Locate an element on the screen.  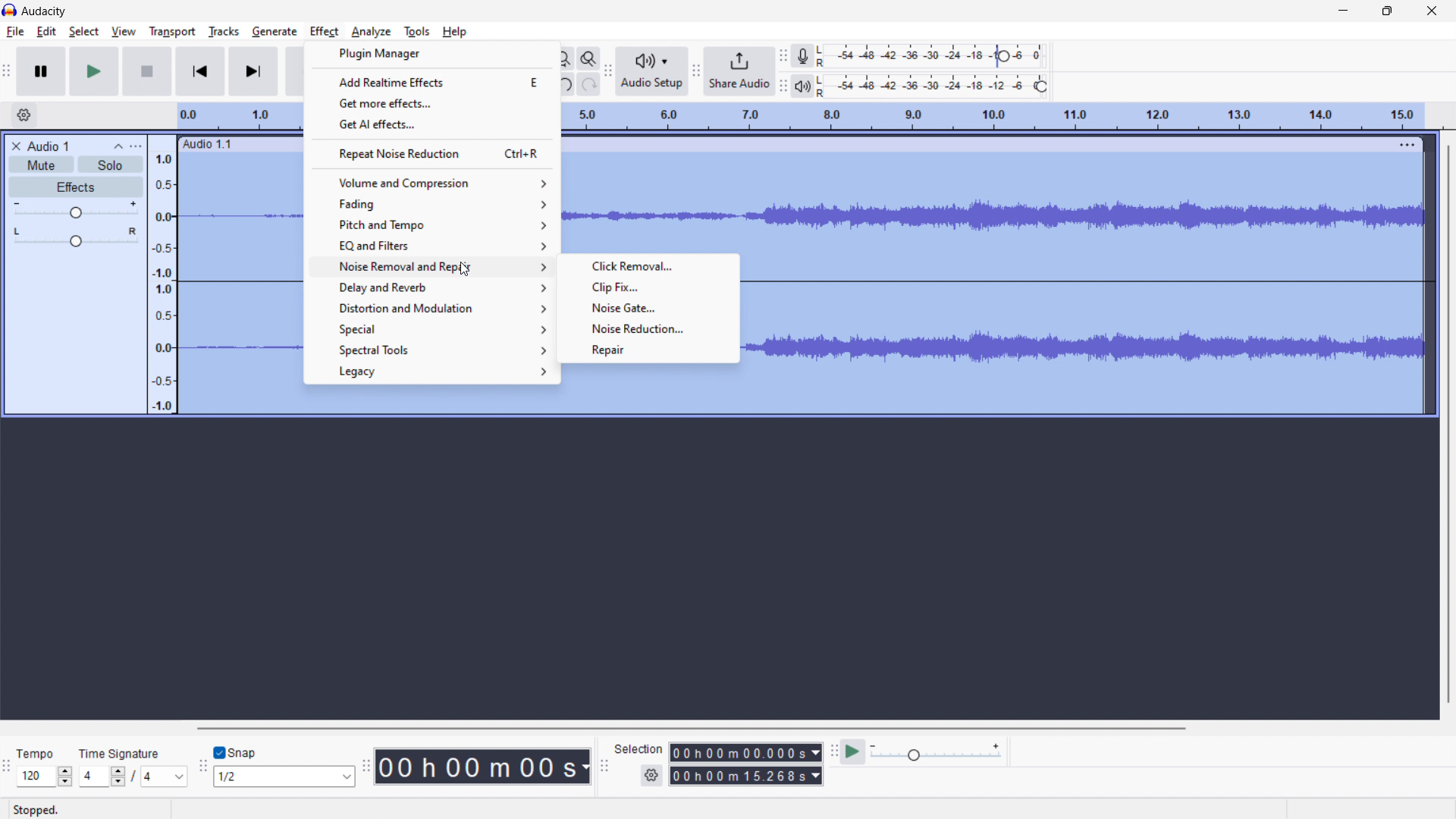
file is located at coordinates (15, 31).